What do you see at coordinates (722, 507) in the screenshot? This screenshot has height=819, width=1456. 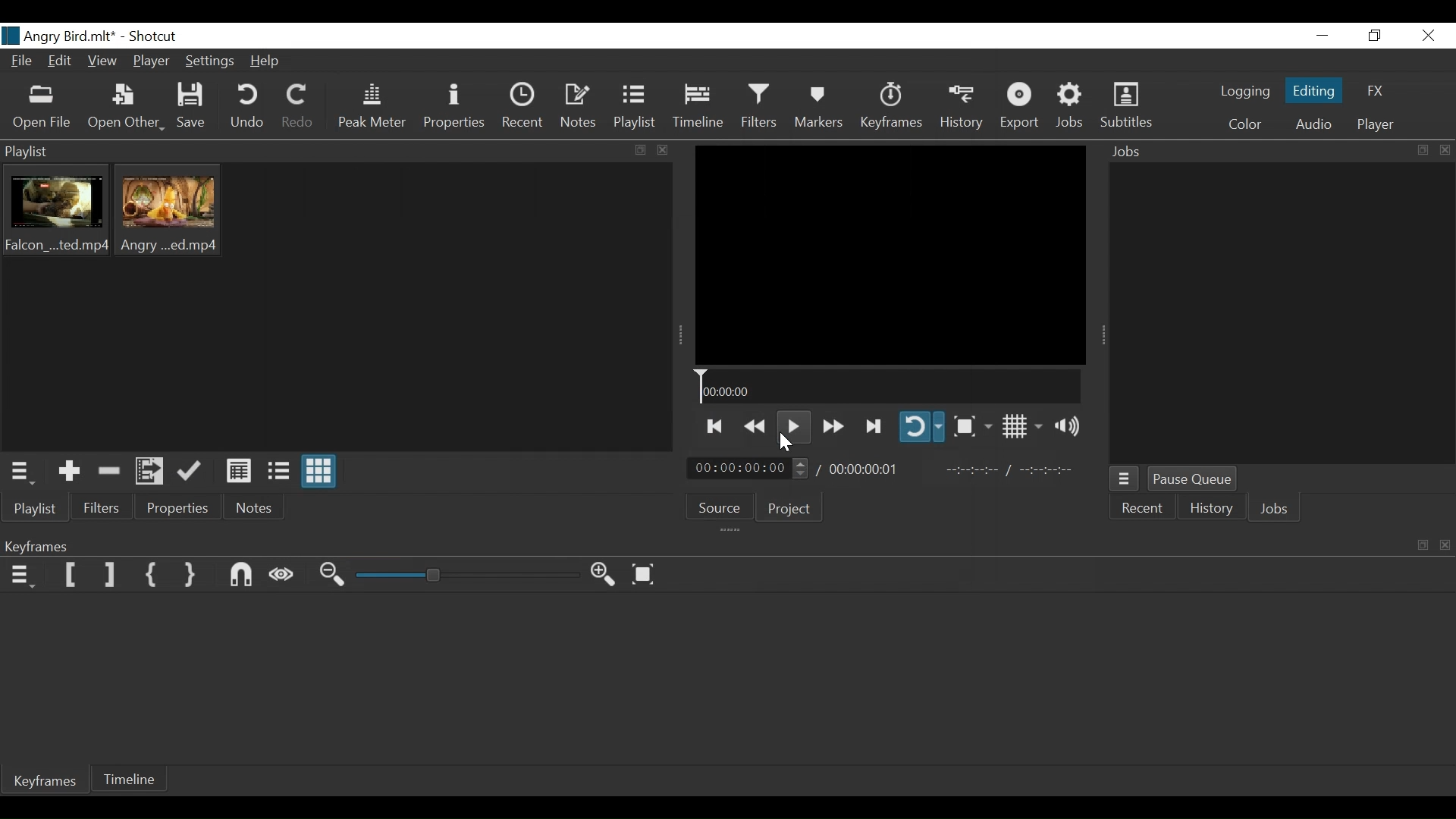 I see `Source` at bounding box center [722, 507].